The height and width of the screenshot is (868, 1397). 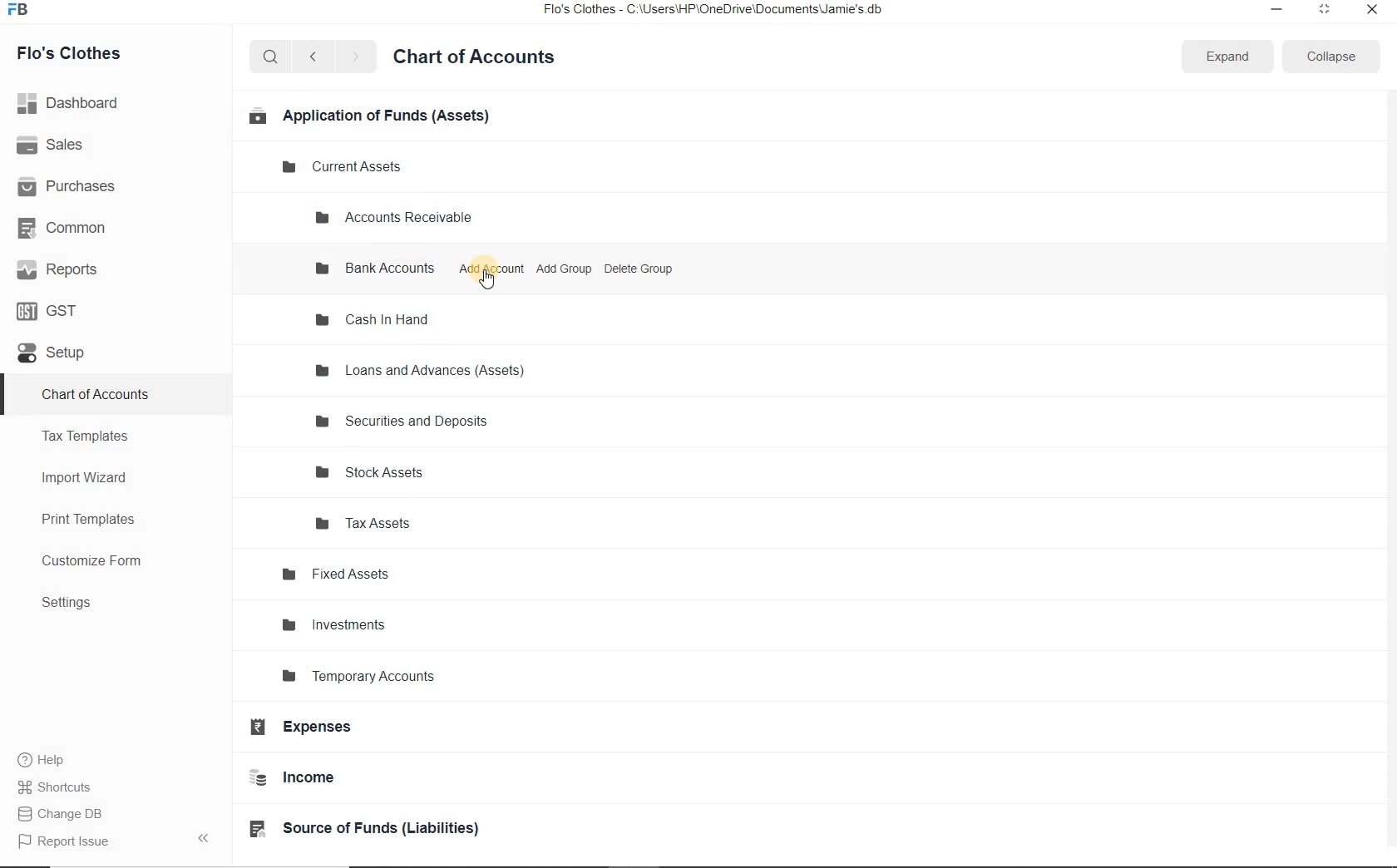 I want to click on Dashboard, so click(x=74, y=101).